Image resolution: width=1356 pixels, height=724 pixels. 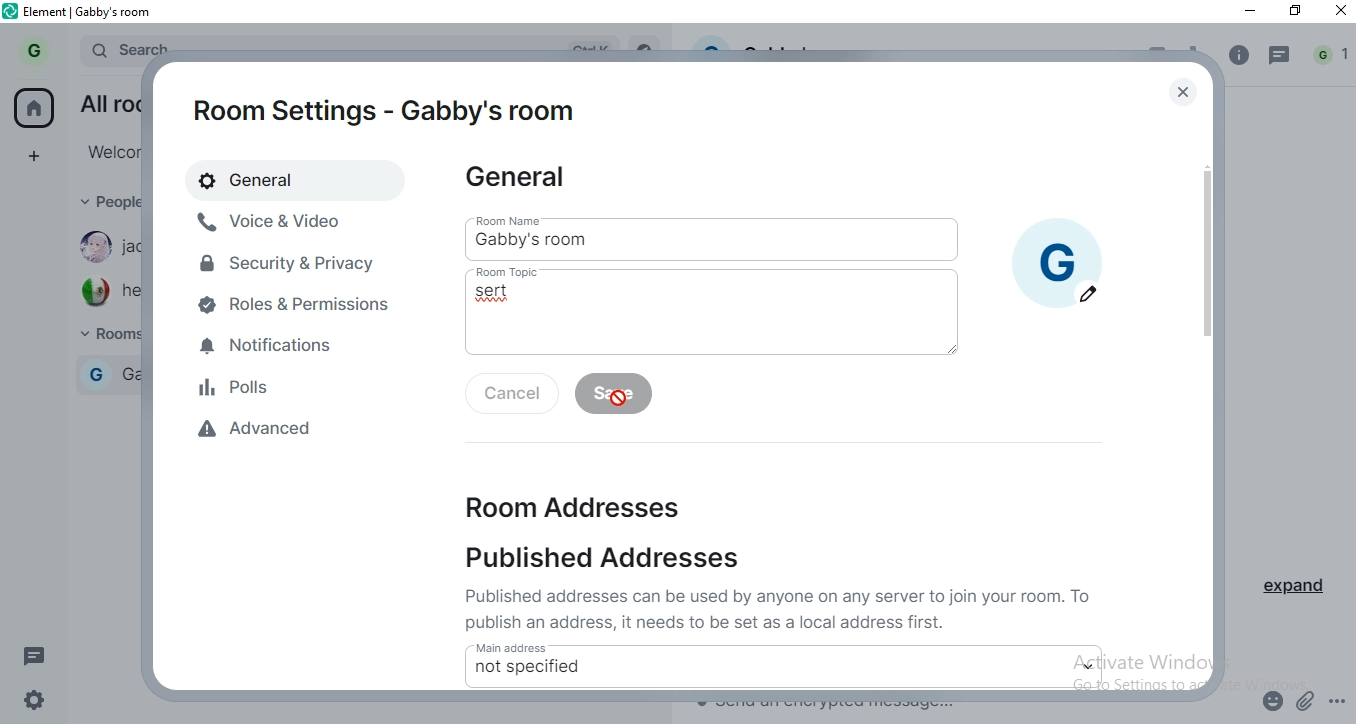 What do you see at coordinates (783, 608) in the screenshot?
I see `text 1` at bounding box center [783, 608].